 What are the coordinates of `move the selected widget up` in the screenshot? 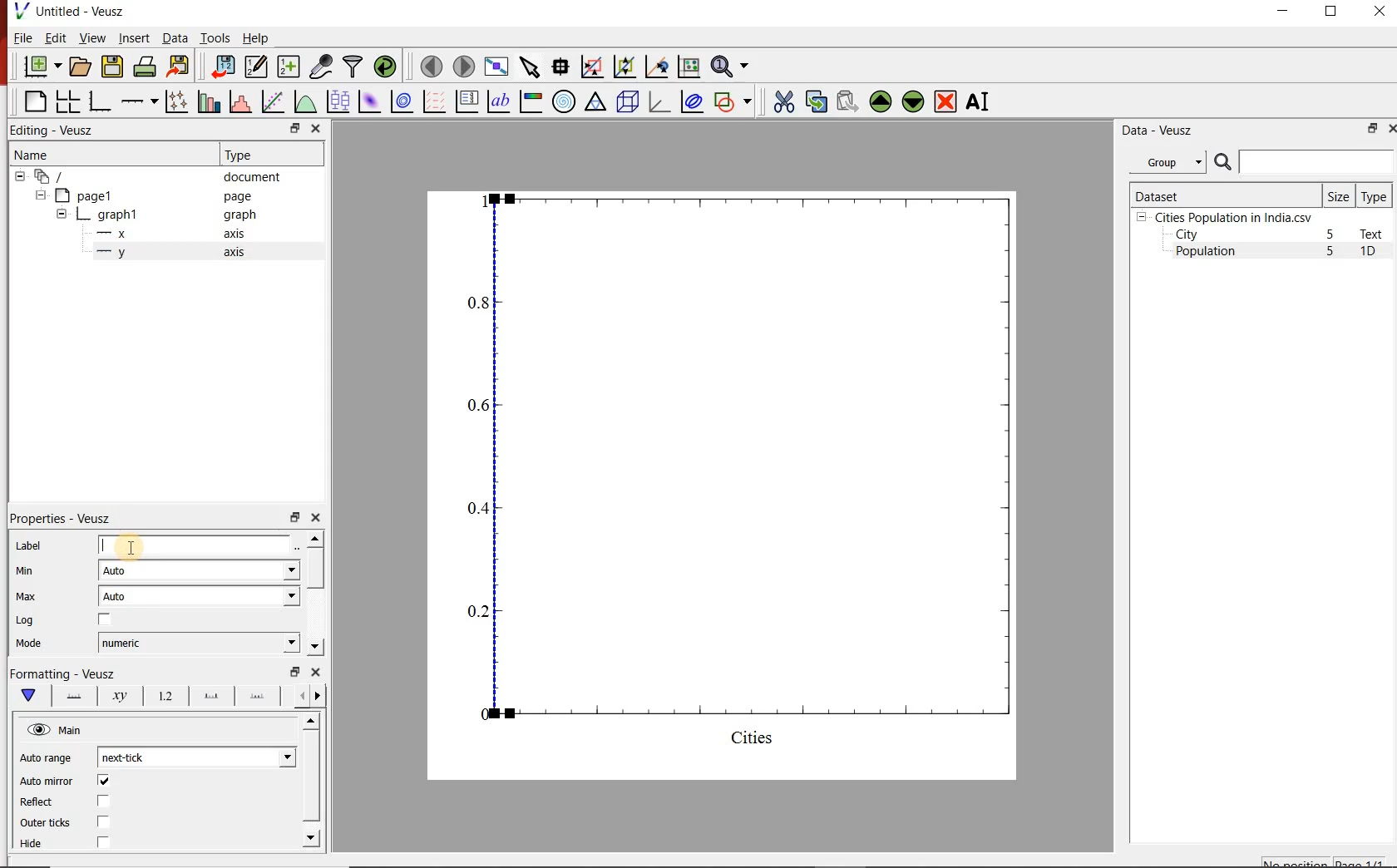 It's located at (881, 101).